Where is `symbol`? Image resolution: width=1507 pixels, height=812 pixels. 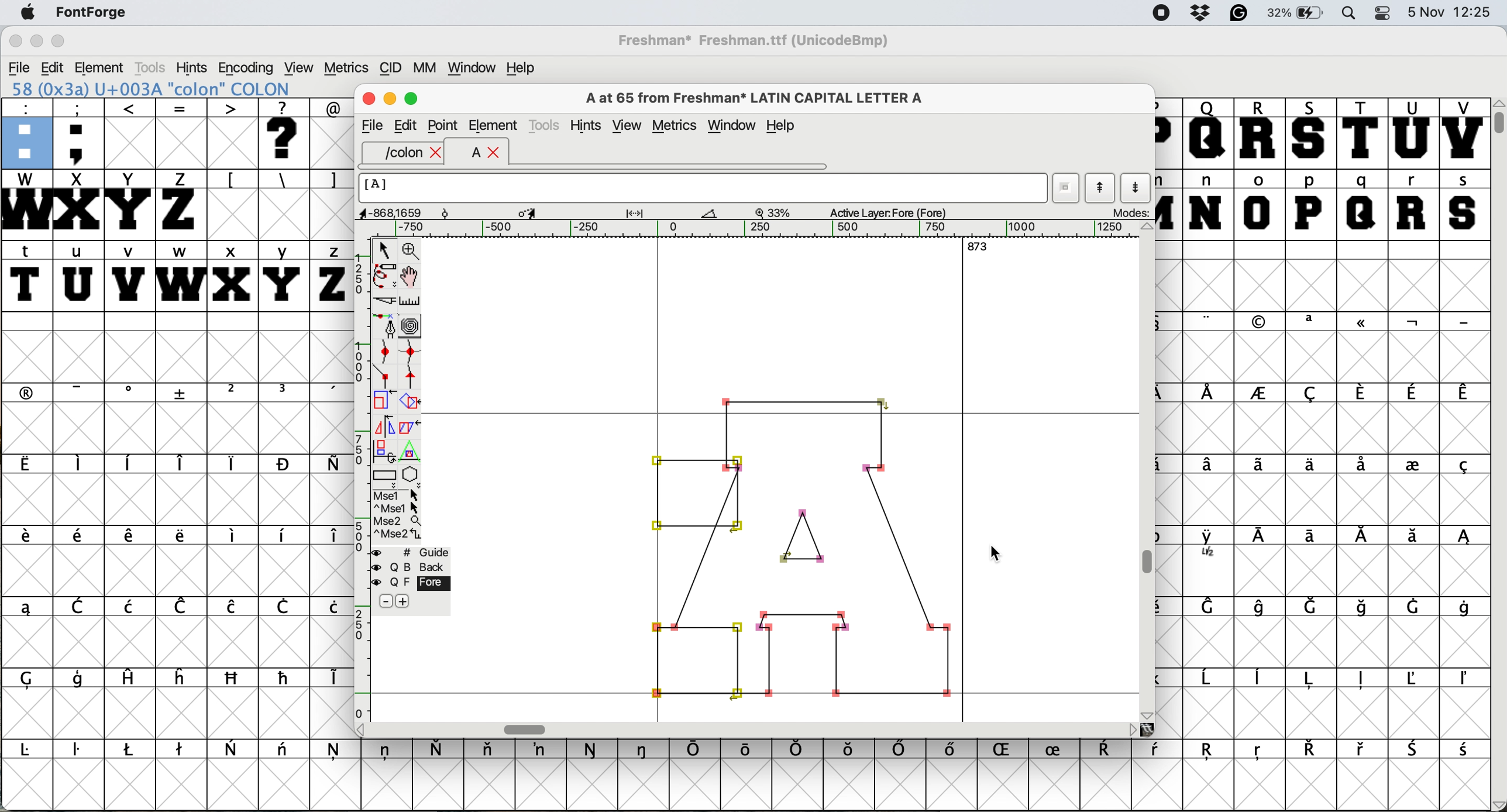 symbol is located at coordinates (1261, 322).